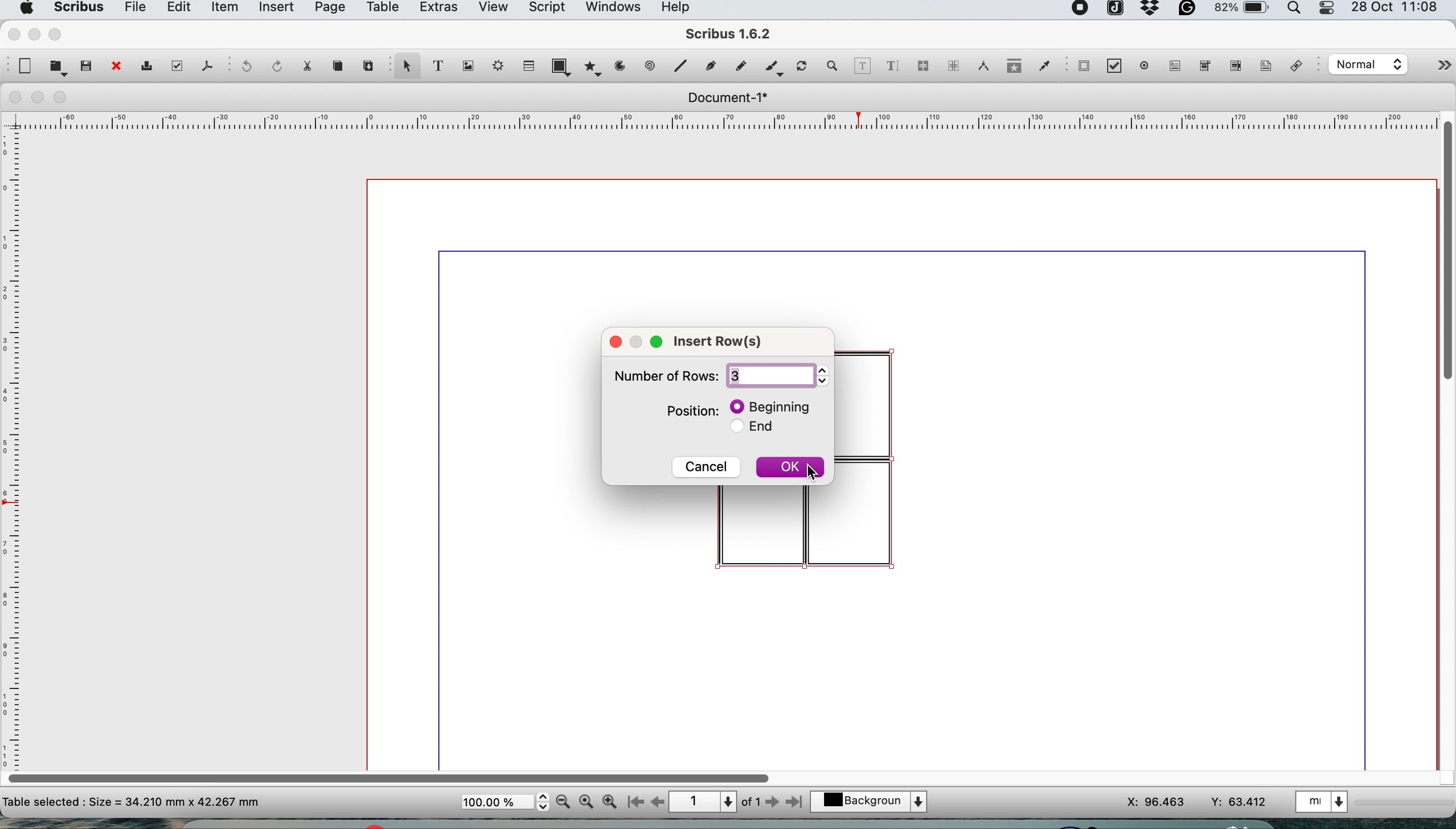  What do you see at coordinates (436, 10) in the screenshot?
I see `extras` at bounding box center [436, 10].